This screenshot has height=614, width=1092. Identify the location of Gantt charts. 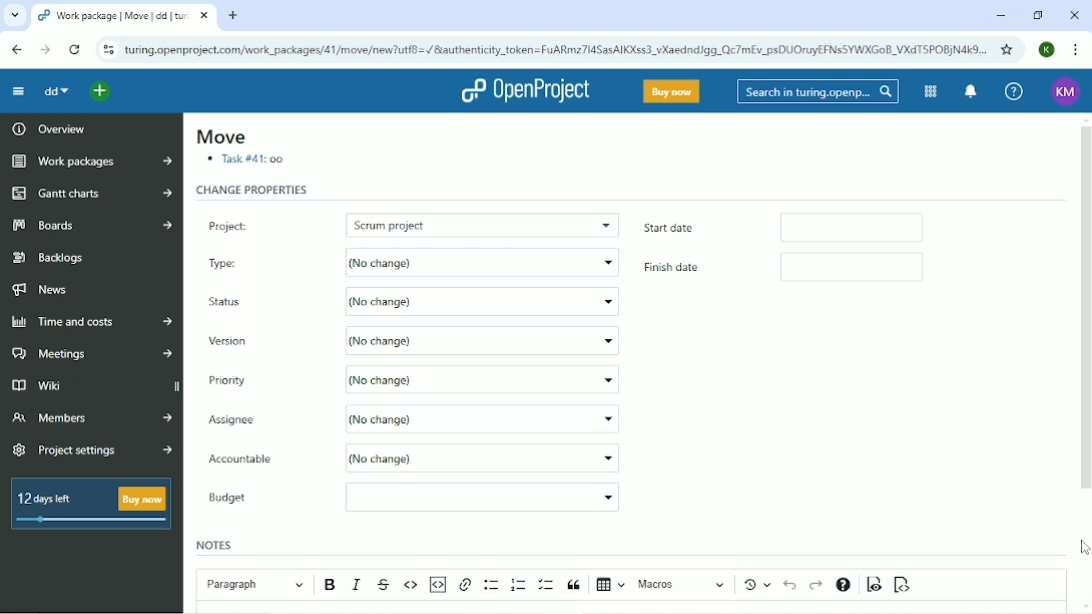
(92, 194).